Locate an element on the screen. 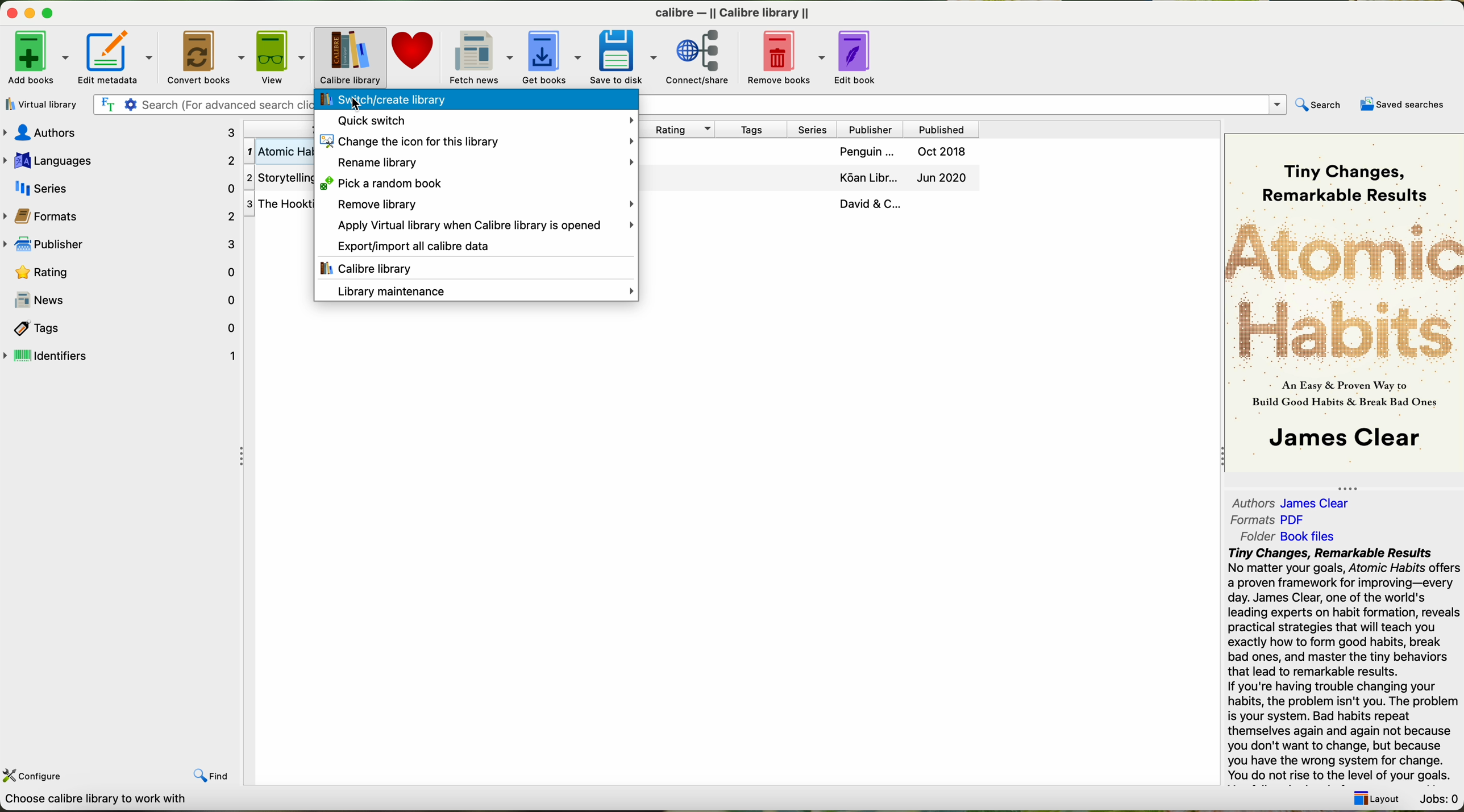  view is located at coordinates (281, 57).